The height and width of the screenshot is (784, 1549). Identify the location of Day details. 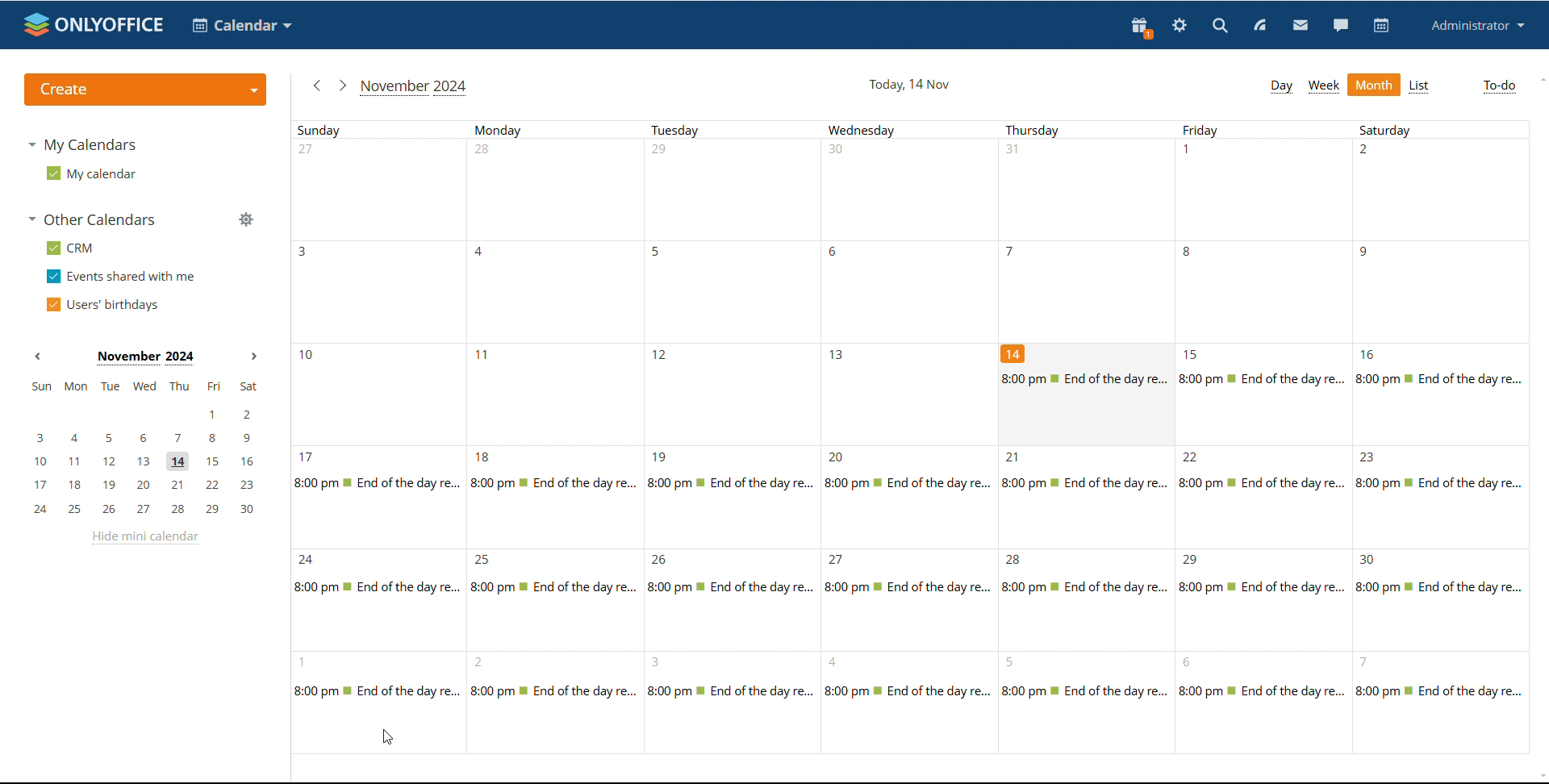
(908, 588).